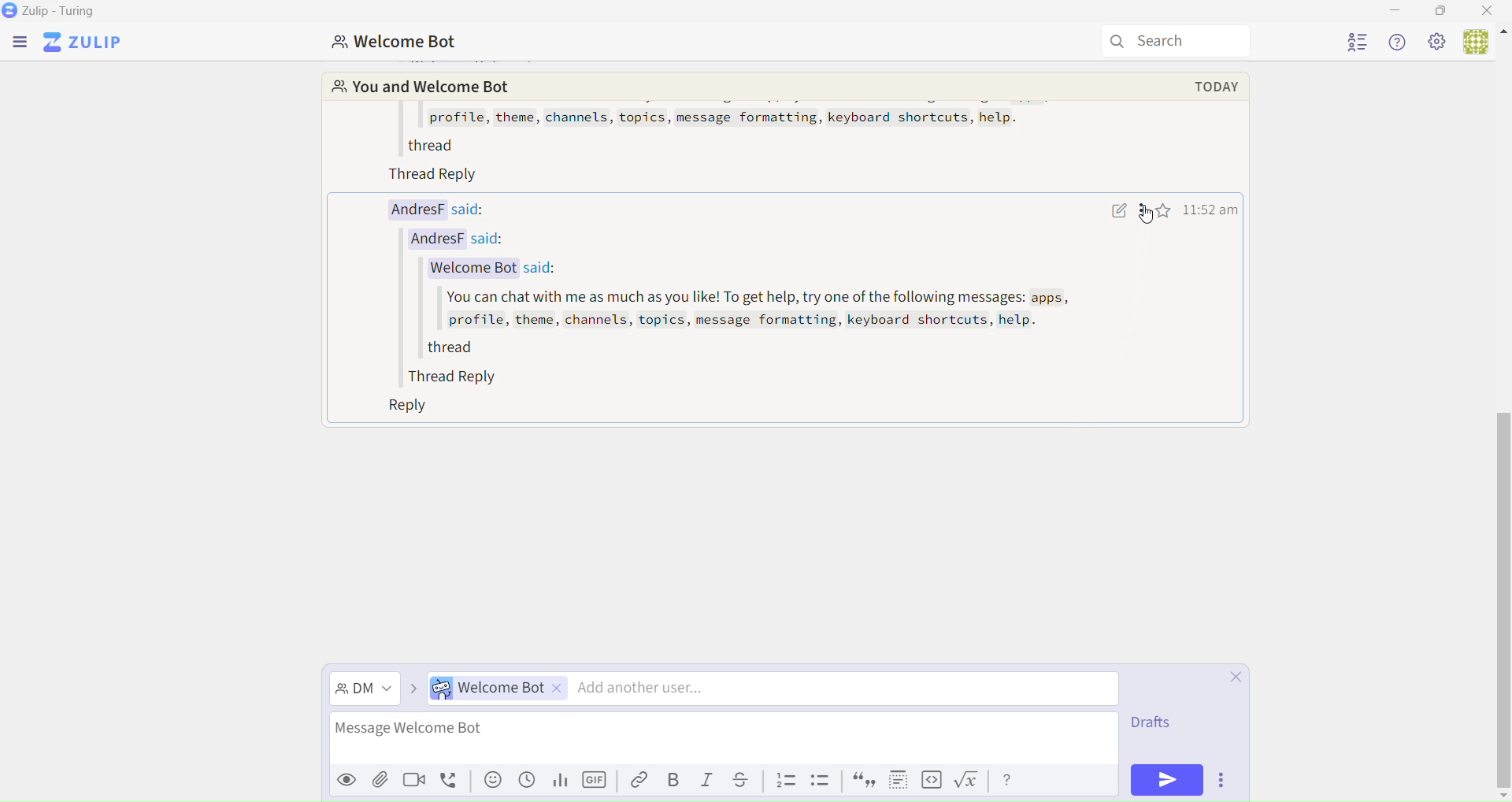 This screenshot has width=1512, height=802. Describe the element at coordinates (426, 144) in the screenshot. I see `thread` at that location.